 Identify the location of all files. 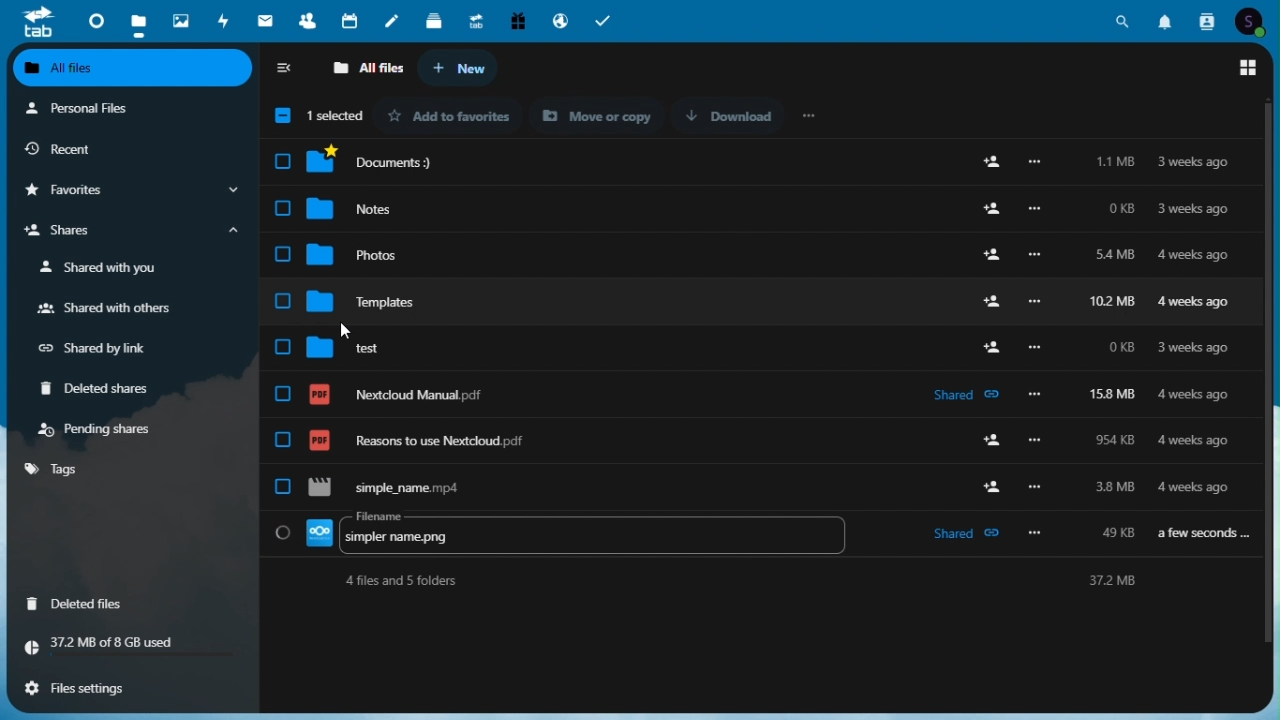
(134, 70).